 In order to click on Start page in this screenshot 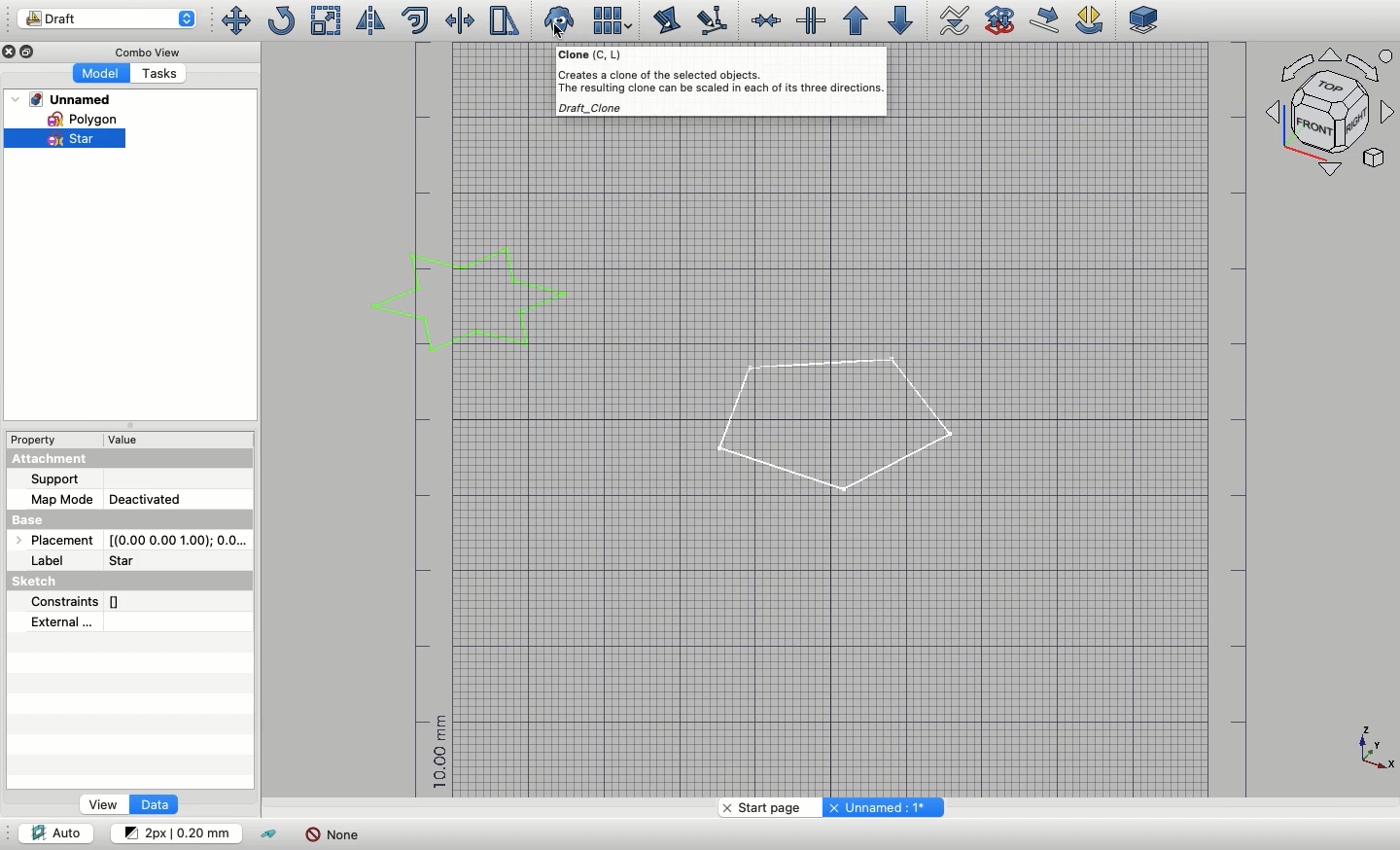, I will do `click(766, 807)`.